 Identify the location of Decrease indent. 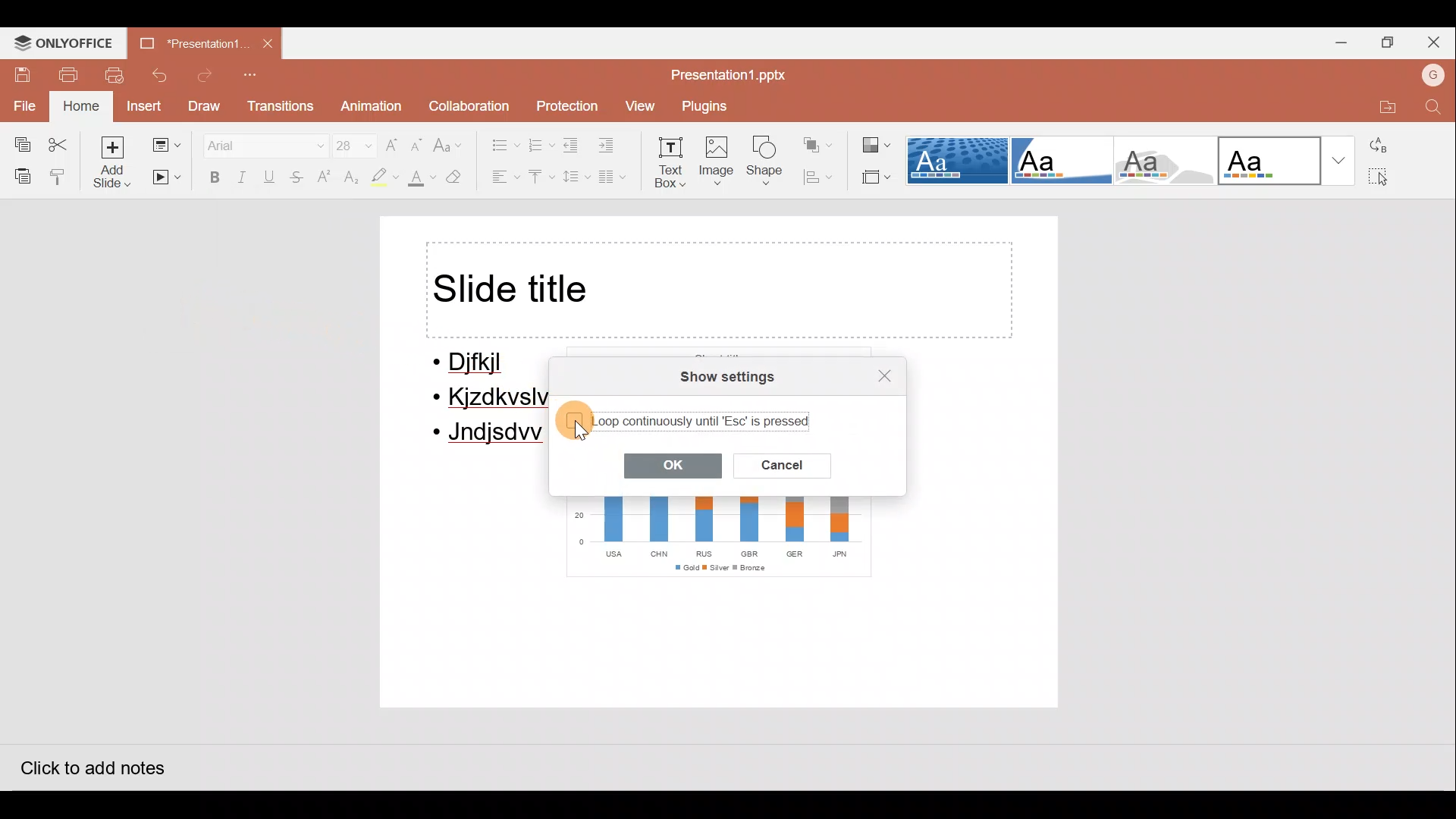
(570, 145).